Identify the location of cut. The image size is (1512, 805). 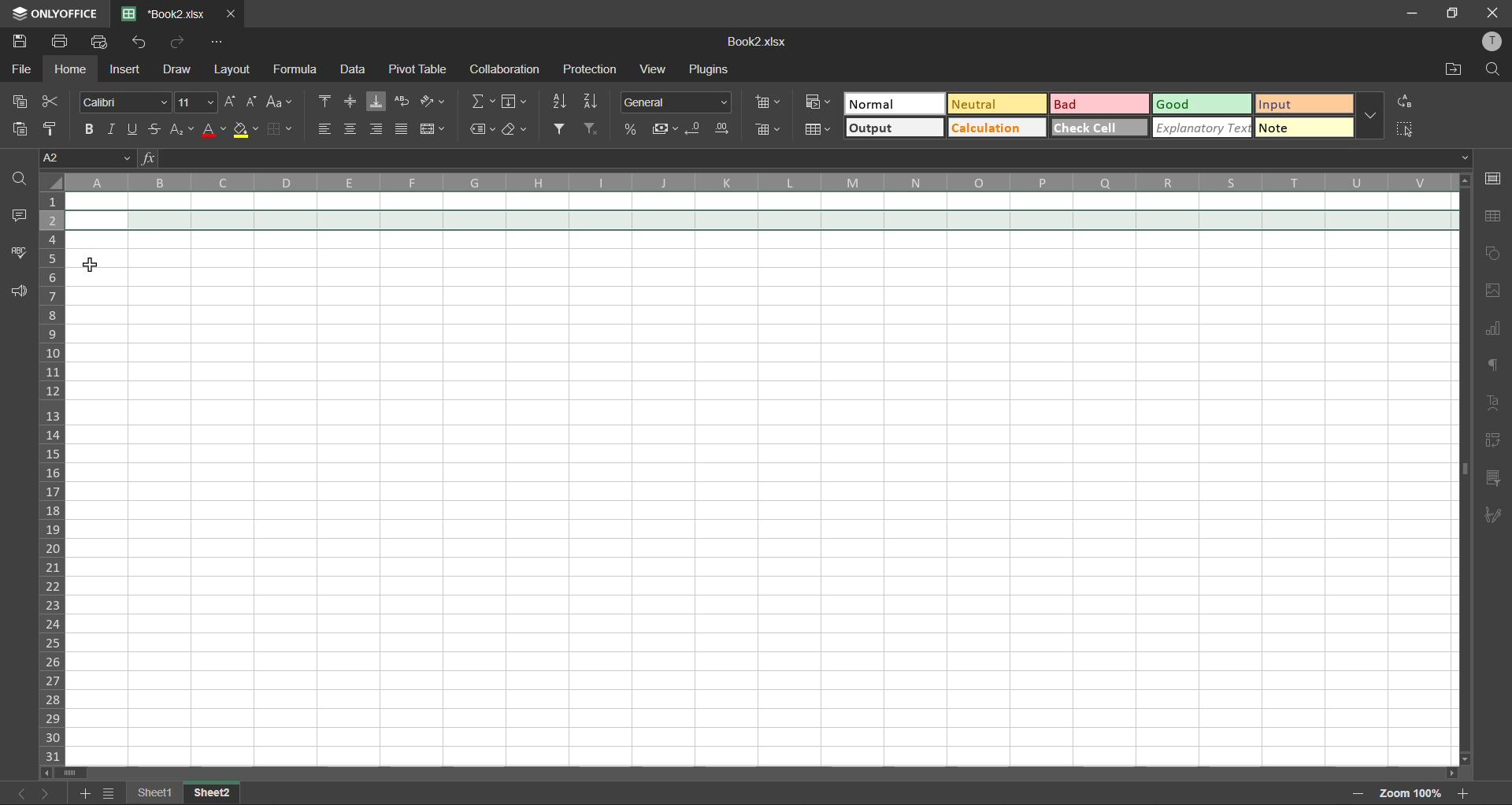
(52, 103).